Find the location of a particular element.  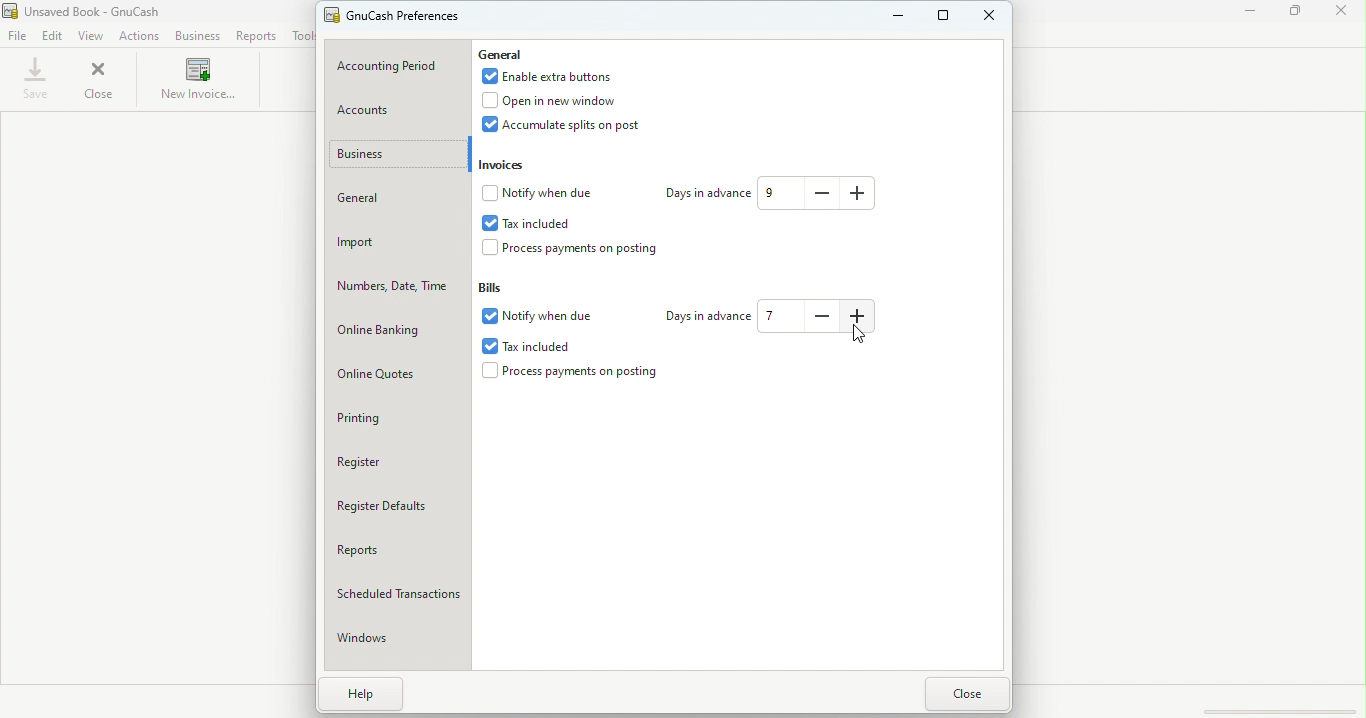

Close is located at coordinates (969, 694).